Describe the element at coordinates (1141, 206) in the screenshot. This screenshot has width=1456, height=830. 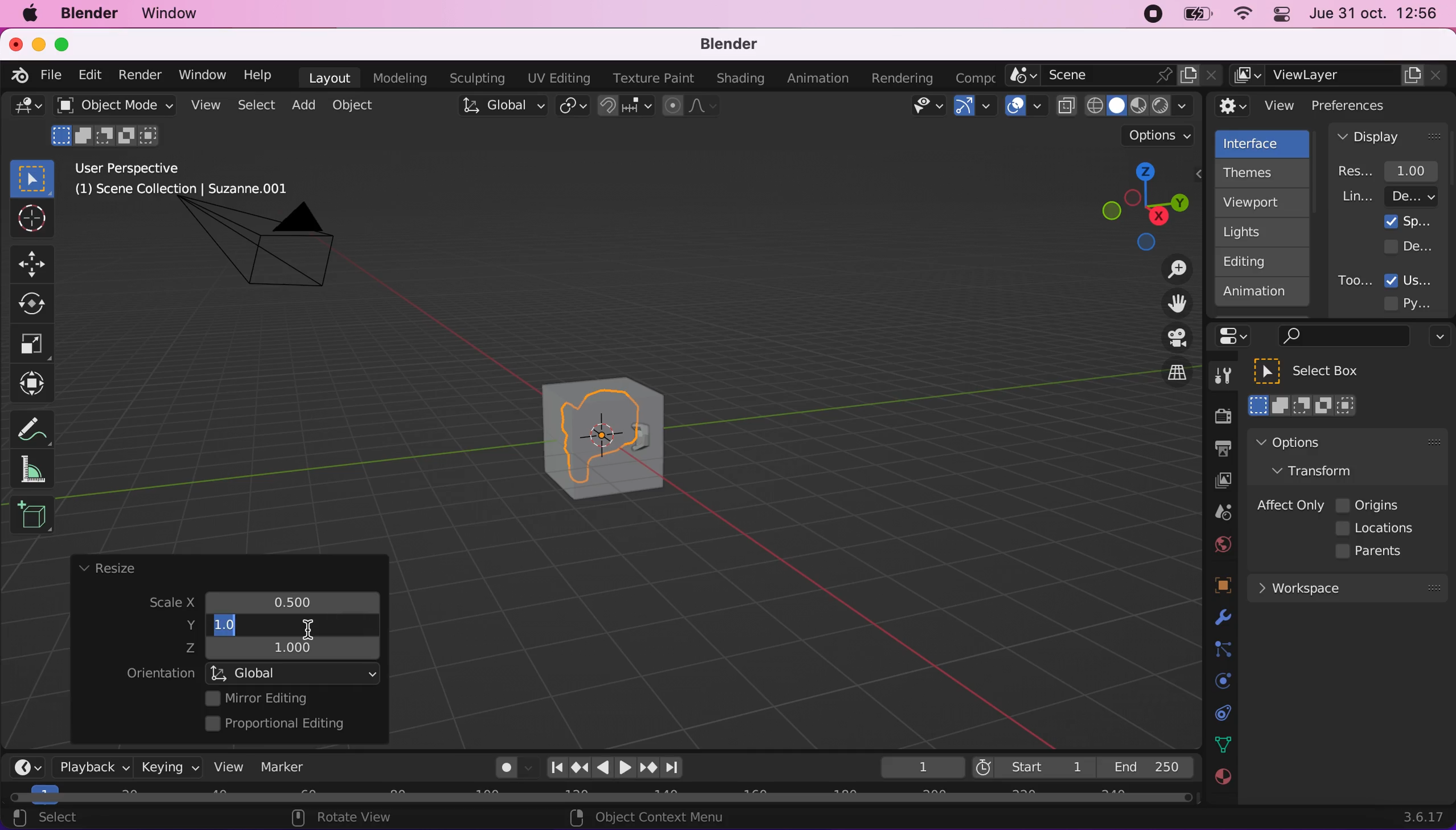
I see `click, shortcut, drag` at that location.